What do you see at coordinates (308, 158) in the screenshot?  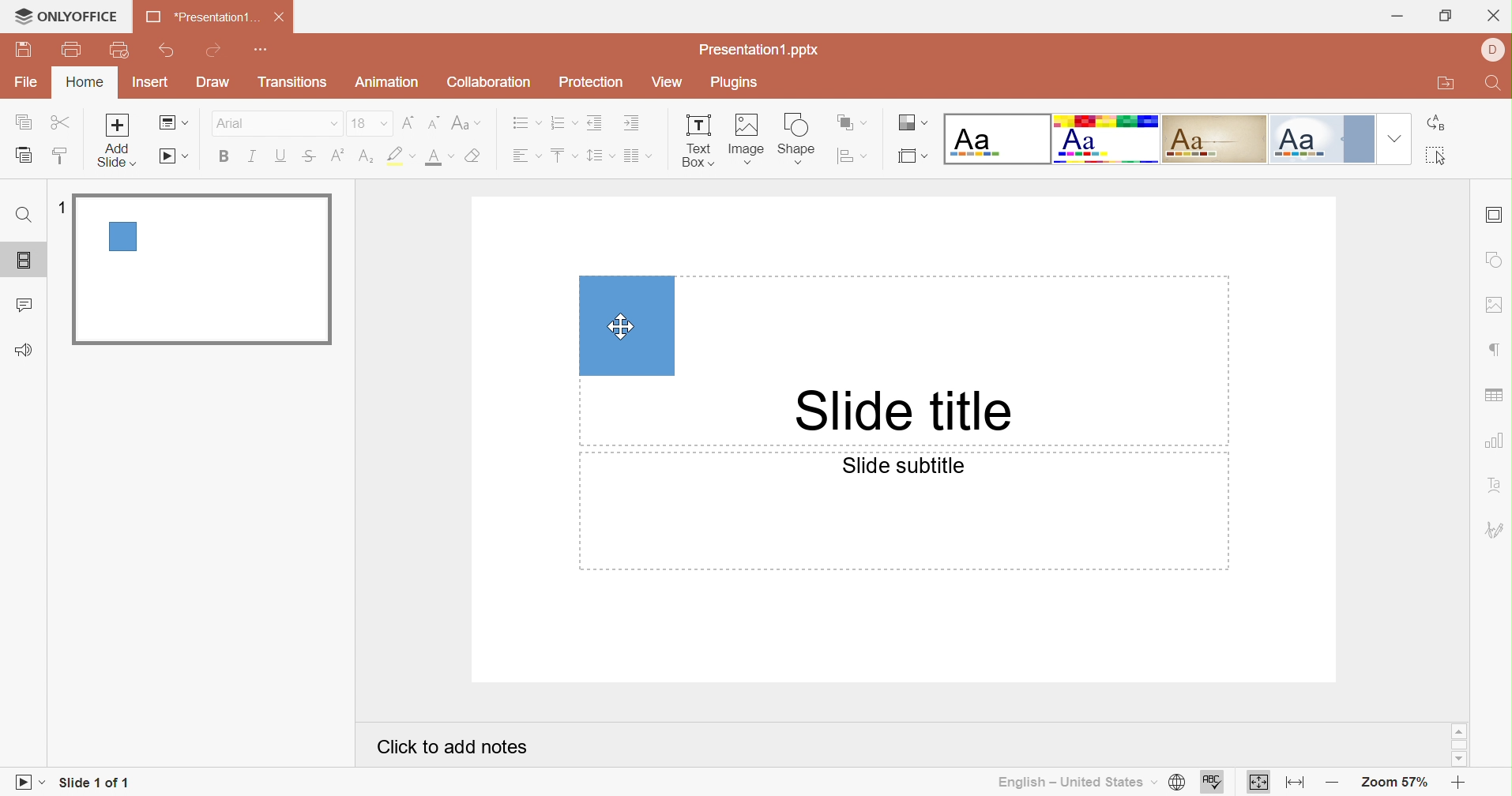 I see `Strikethrough` at bounding box center [308, 158].